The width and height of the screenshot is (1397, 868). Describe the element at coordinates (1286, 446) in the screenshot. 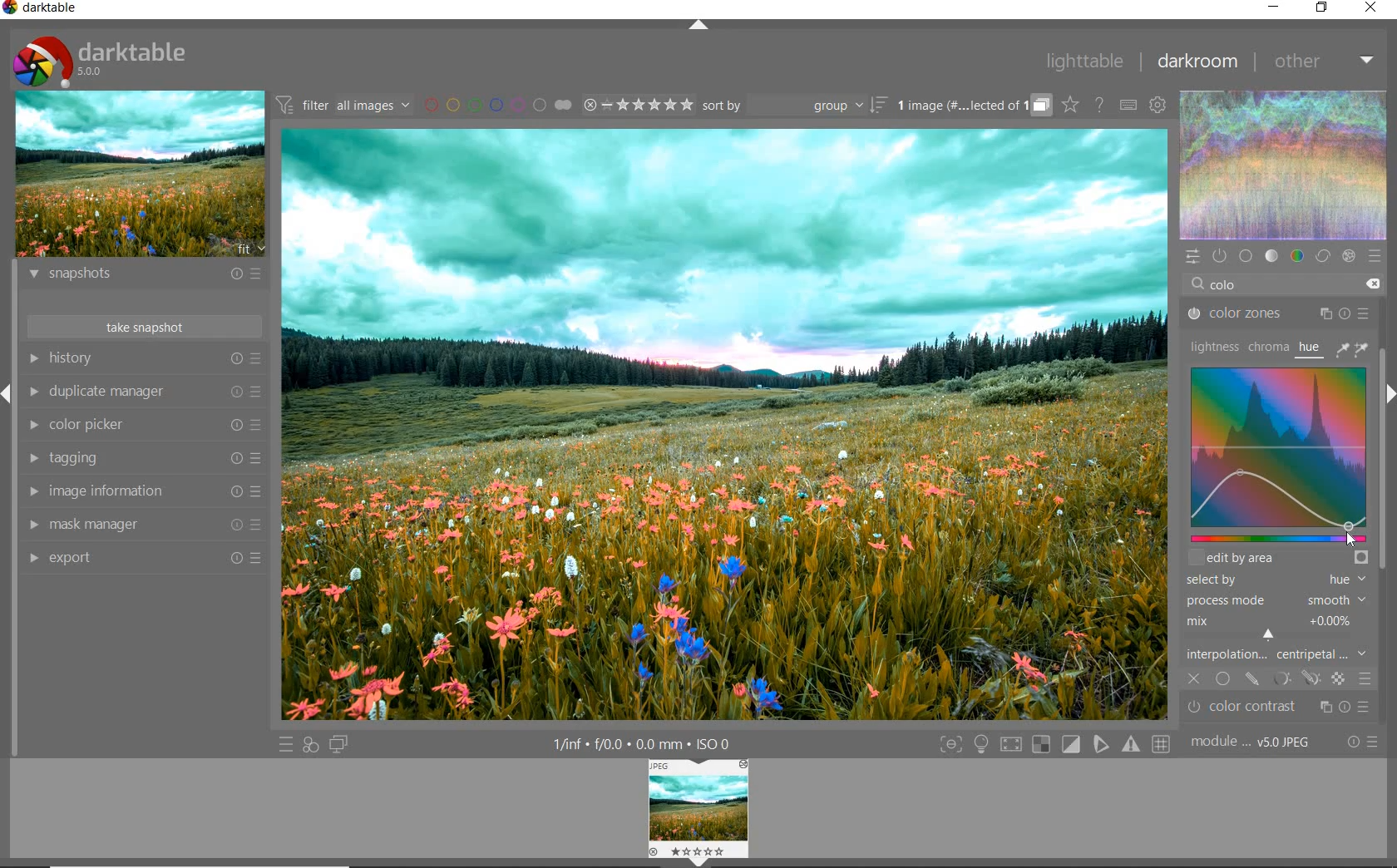

I see `Colorize` at that location.